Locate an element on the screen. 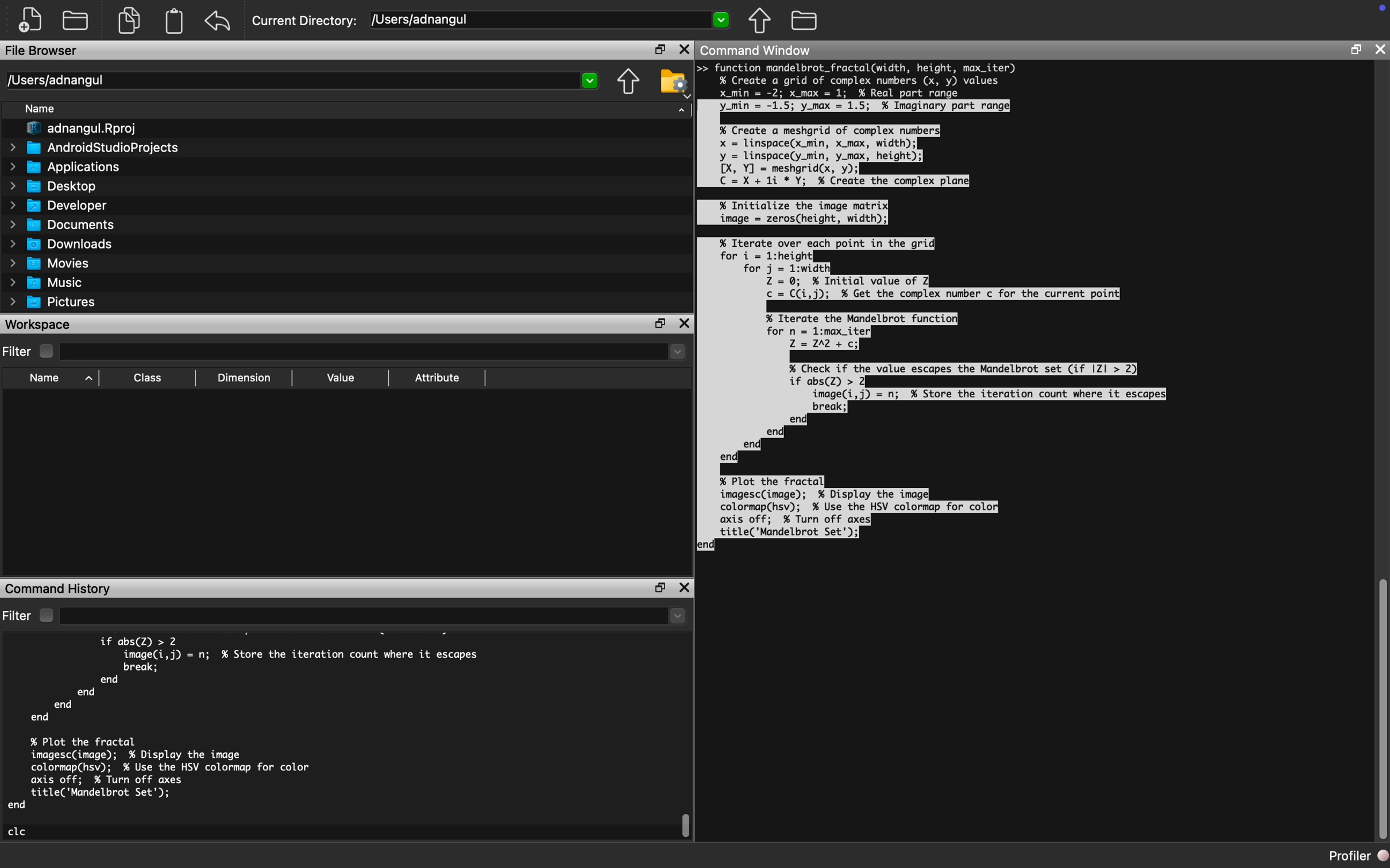  Restore Down is located at coordinates (663, 49).